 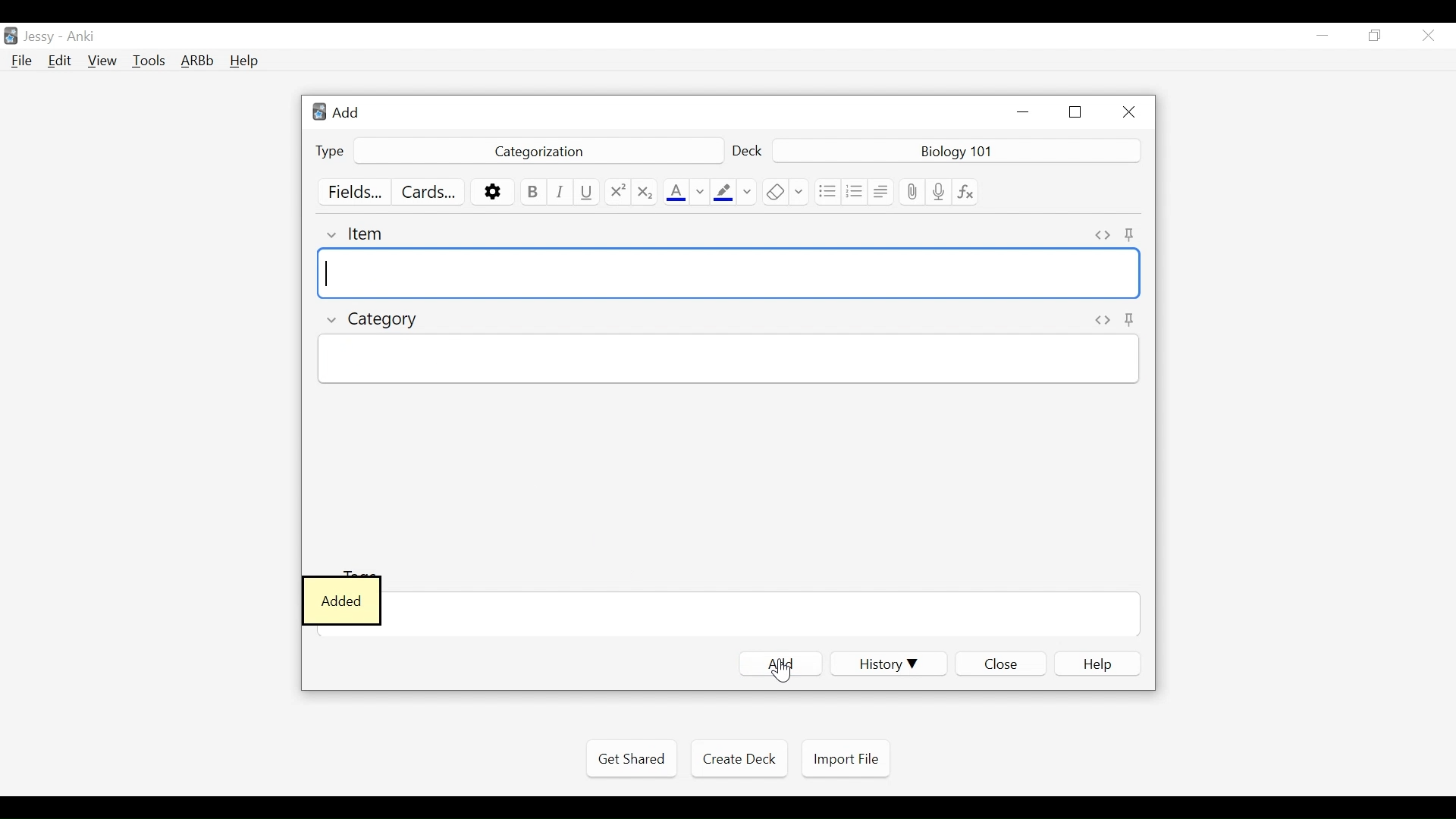 I want to click on Superscript, so click(x=617, y=192).